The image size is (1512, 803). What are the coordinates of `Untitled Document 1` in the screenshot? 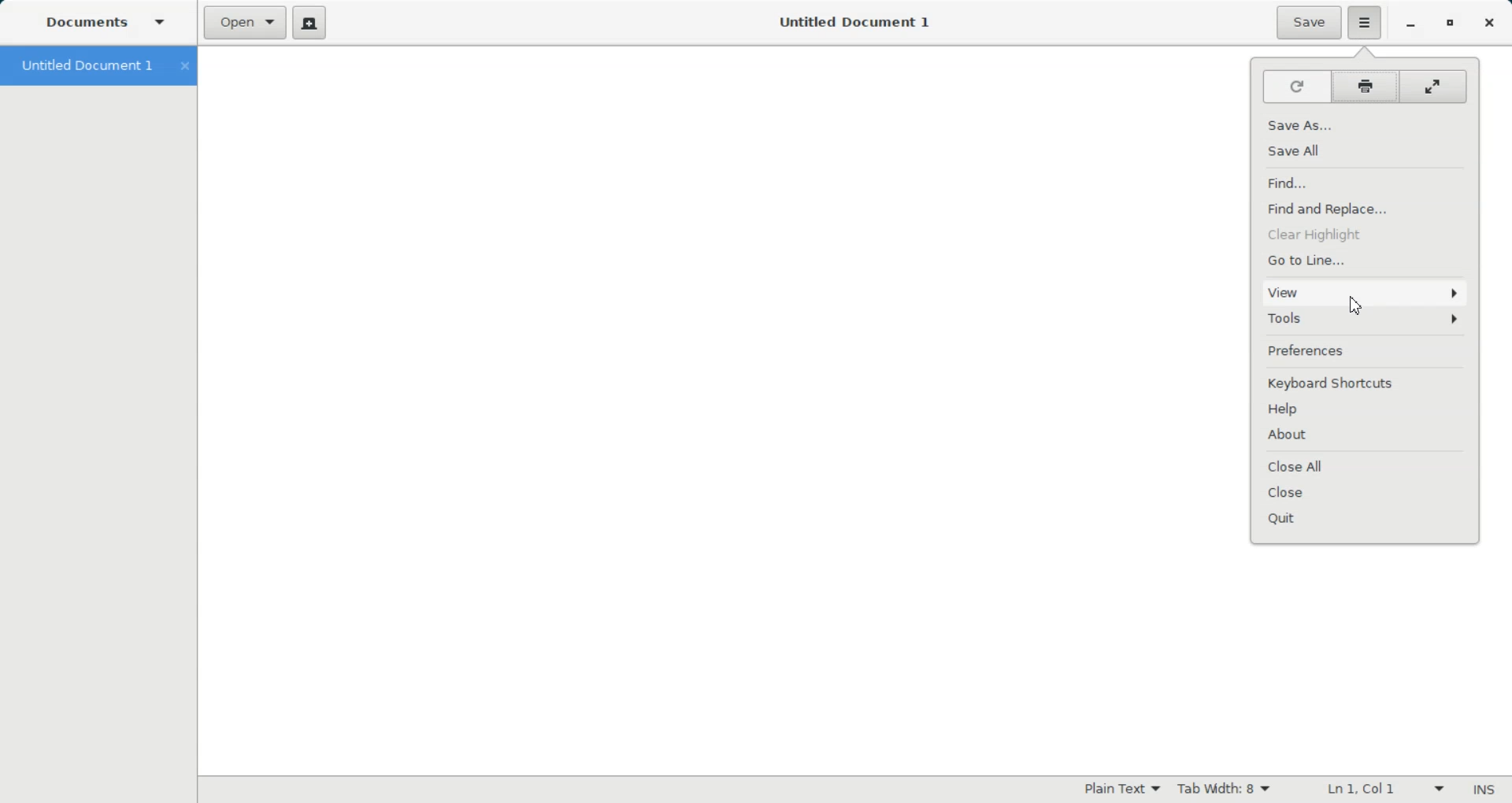 It's located at (858, 22).